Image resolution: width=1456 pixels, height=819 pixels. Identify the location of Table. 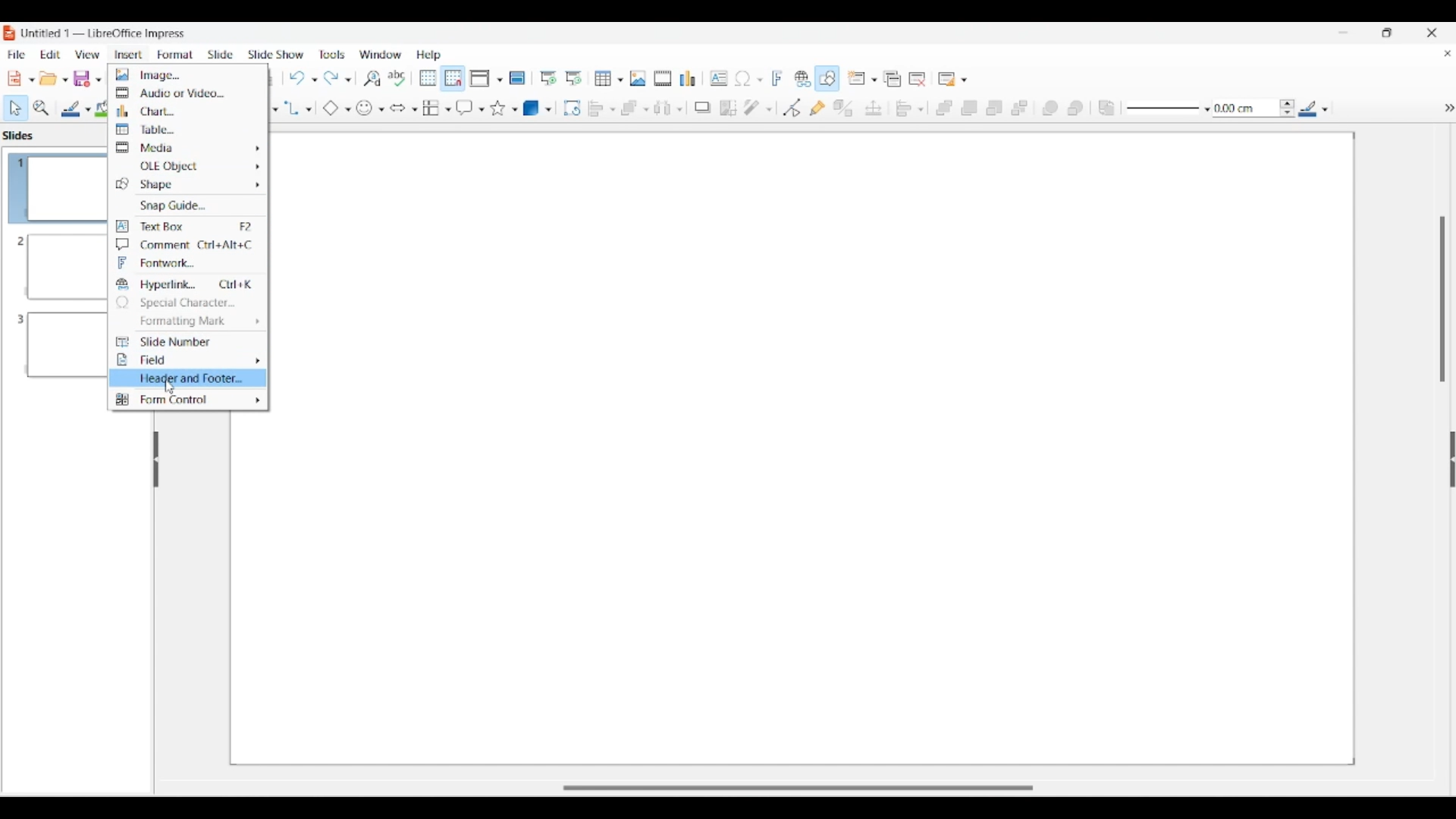
(187, 129).